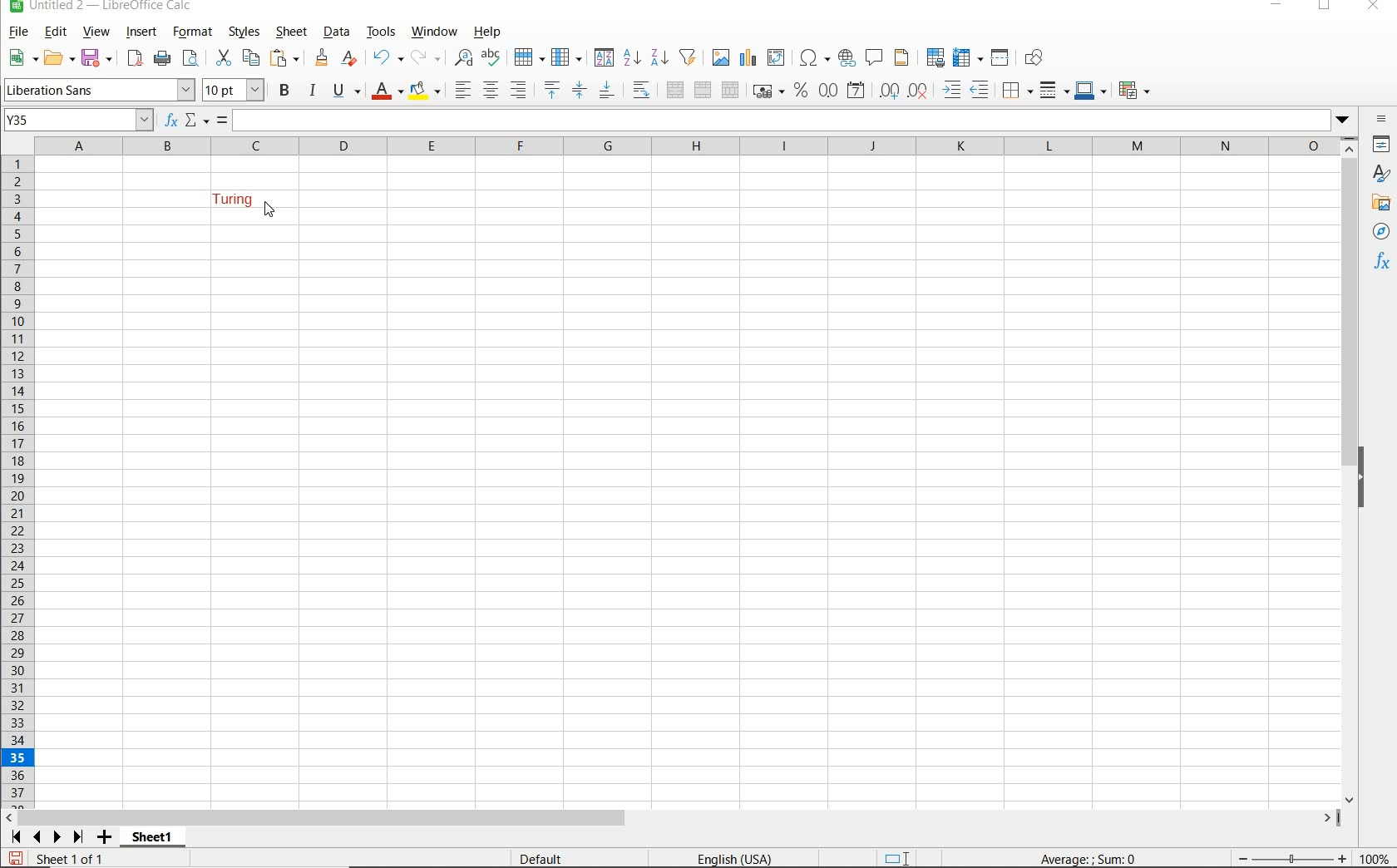  Describe the element at coordinates (1288, 856) in the screenshot. I see `ZOOM OUT OR ZOOM IN` at that location.